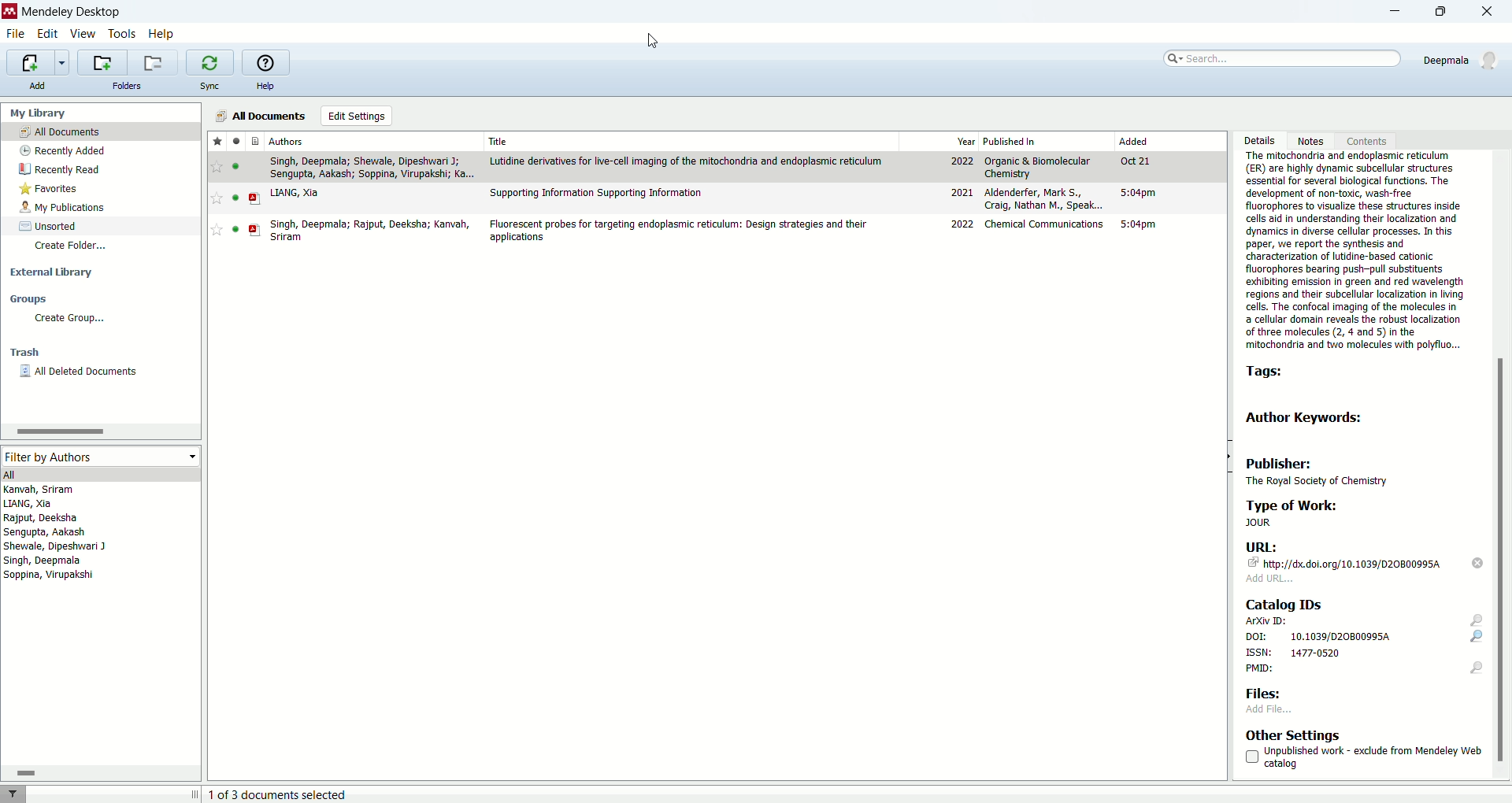  What do you see at coordinates (1503, 464) in the screenshot?
I see `vertical scroll bar` at bounding box center [1503, 464].